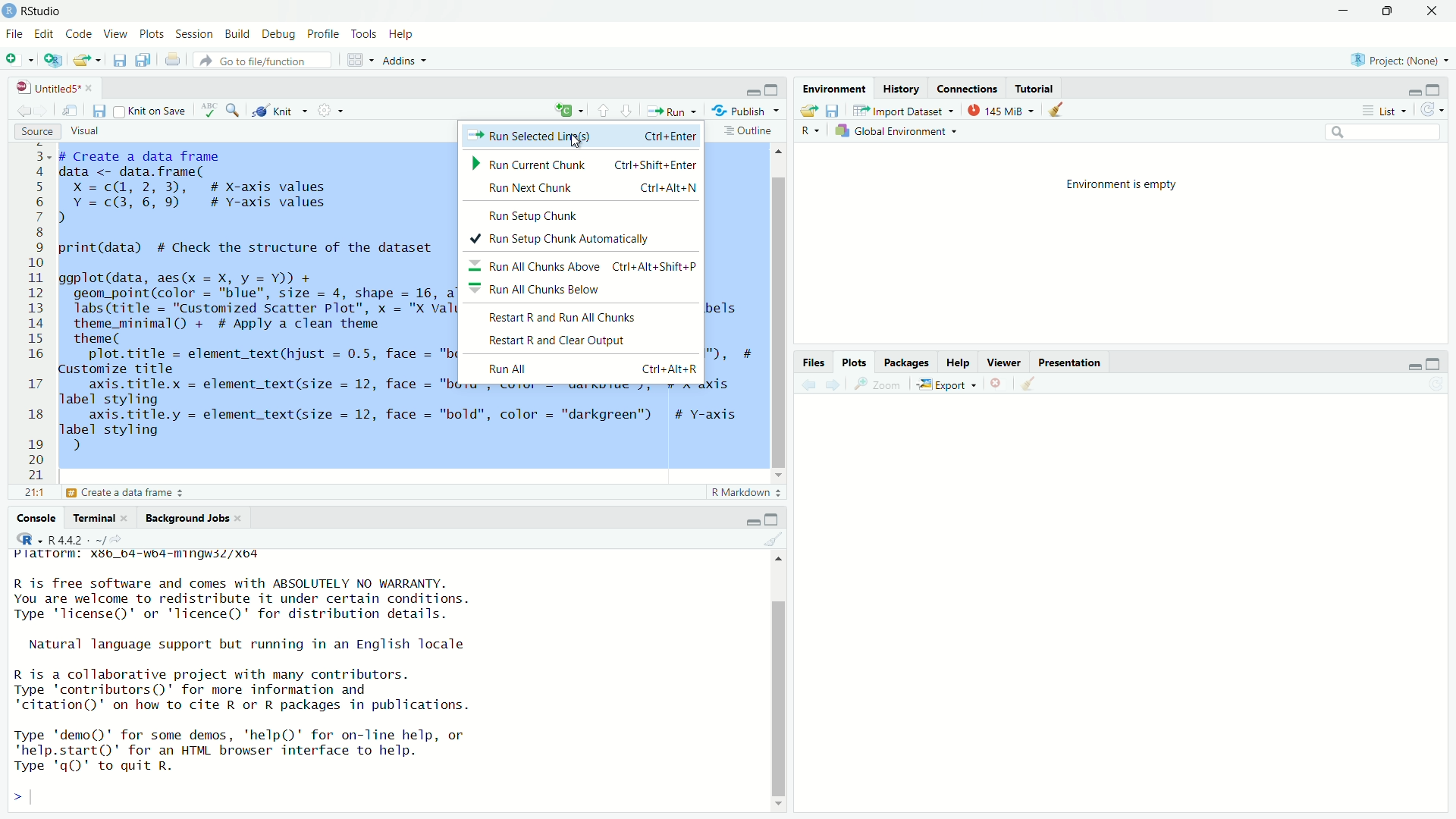  I want to click on Forward, so click(831, 385).